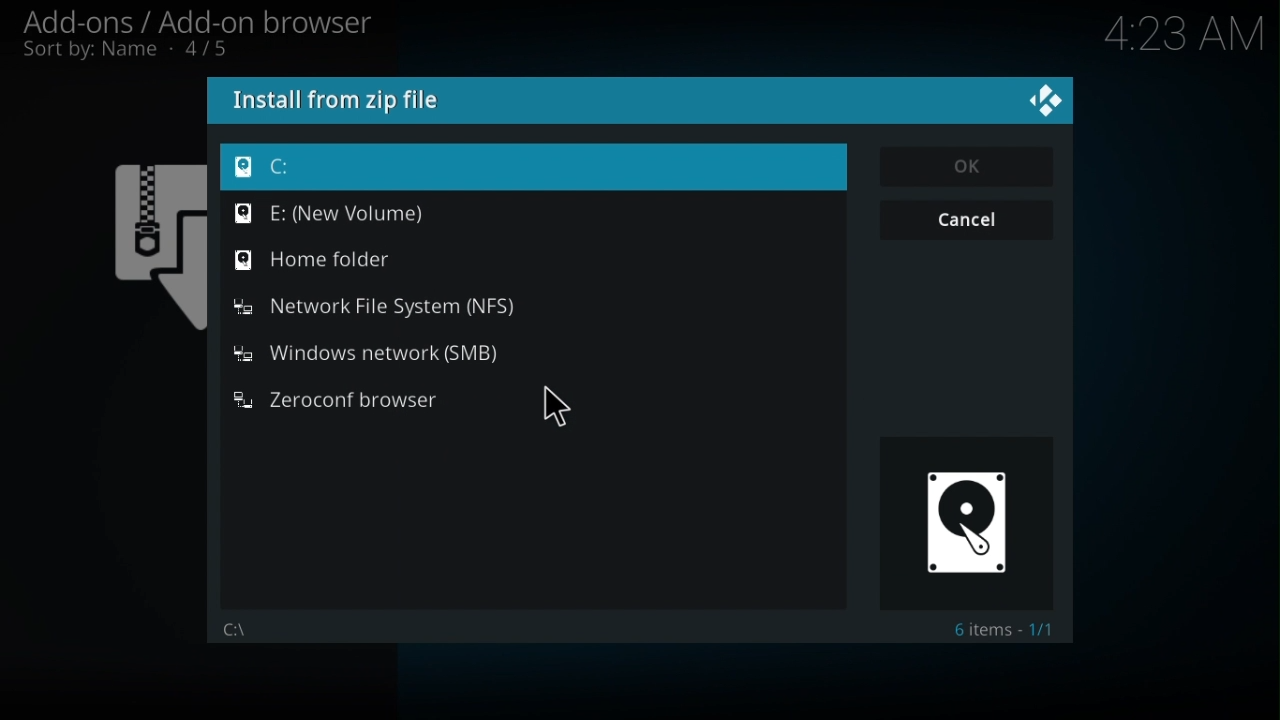  I want to click on File path, so click(237, 629).